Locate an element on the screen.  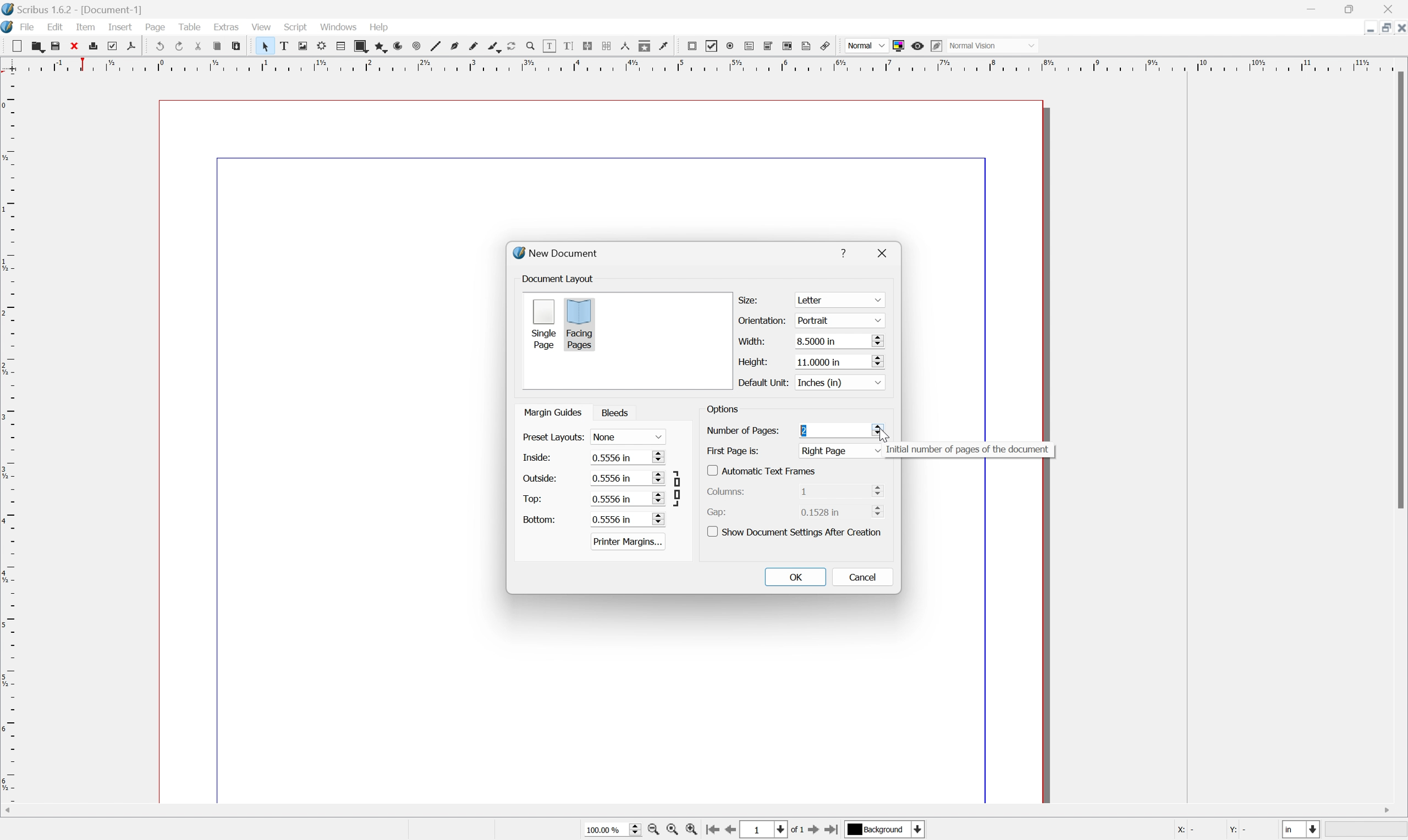
zoom to 100% is located at coordinates (674, 830).